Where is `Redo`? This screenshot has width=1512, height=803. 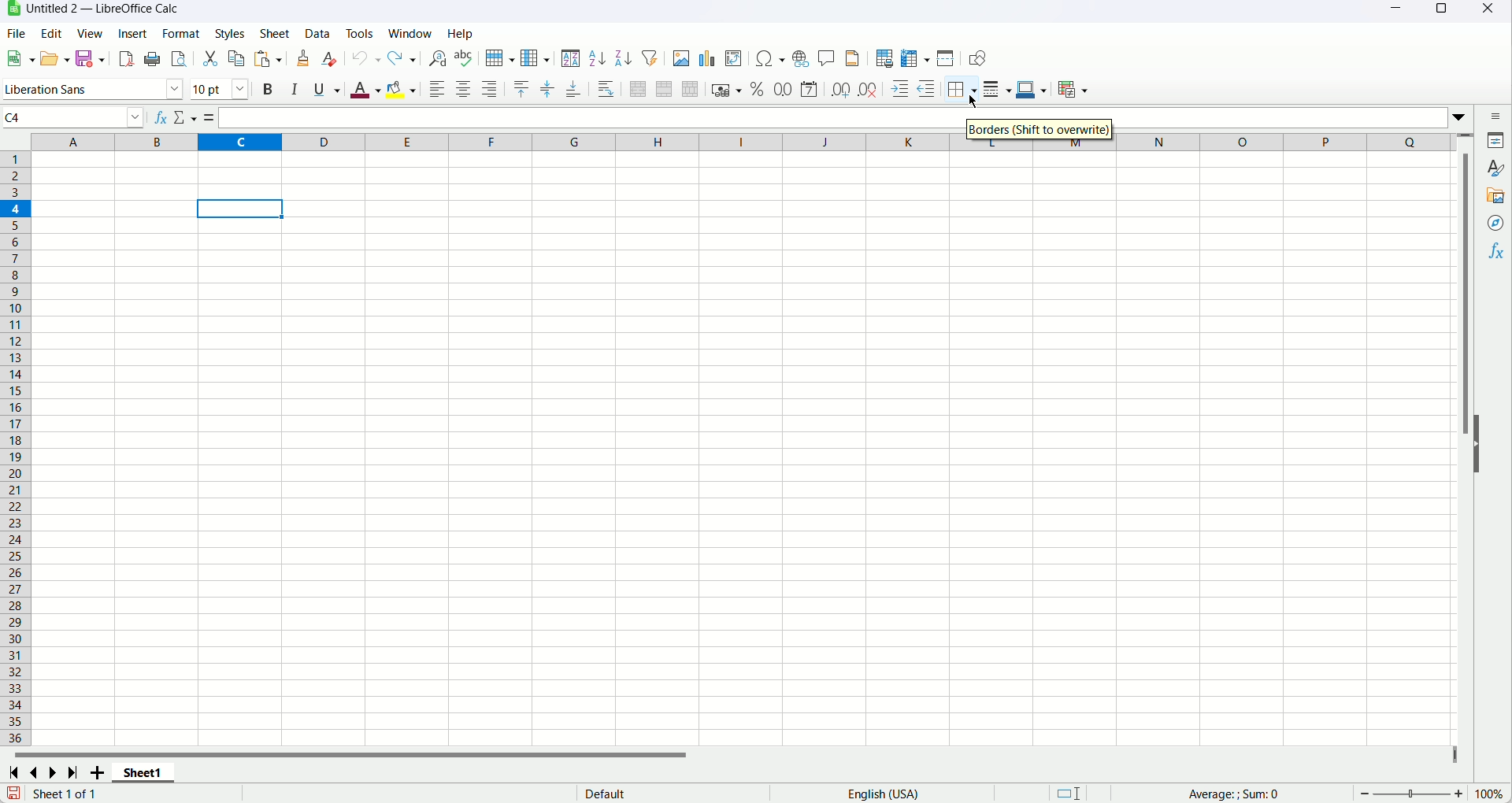
Redo is located at coordinates (402, 58).